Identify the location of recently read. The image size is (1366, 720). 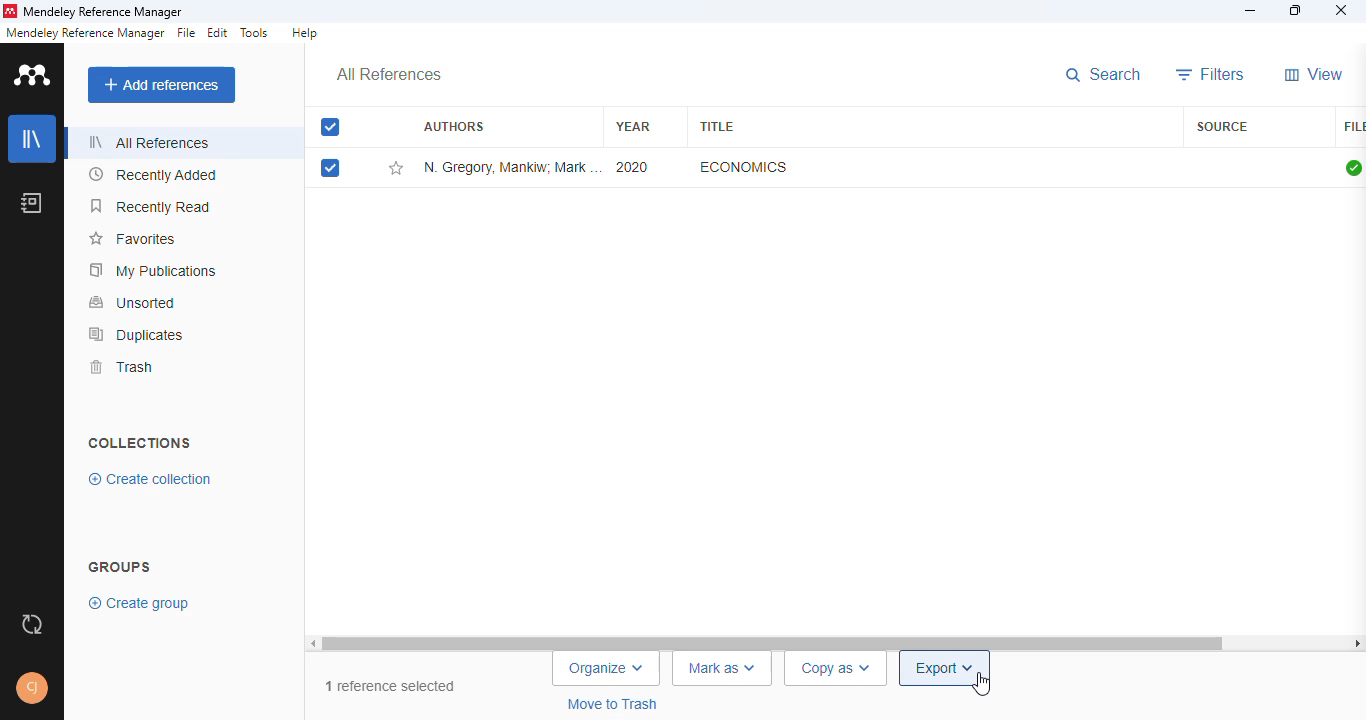
(151, 207).